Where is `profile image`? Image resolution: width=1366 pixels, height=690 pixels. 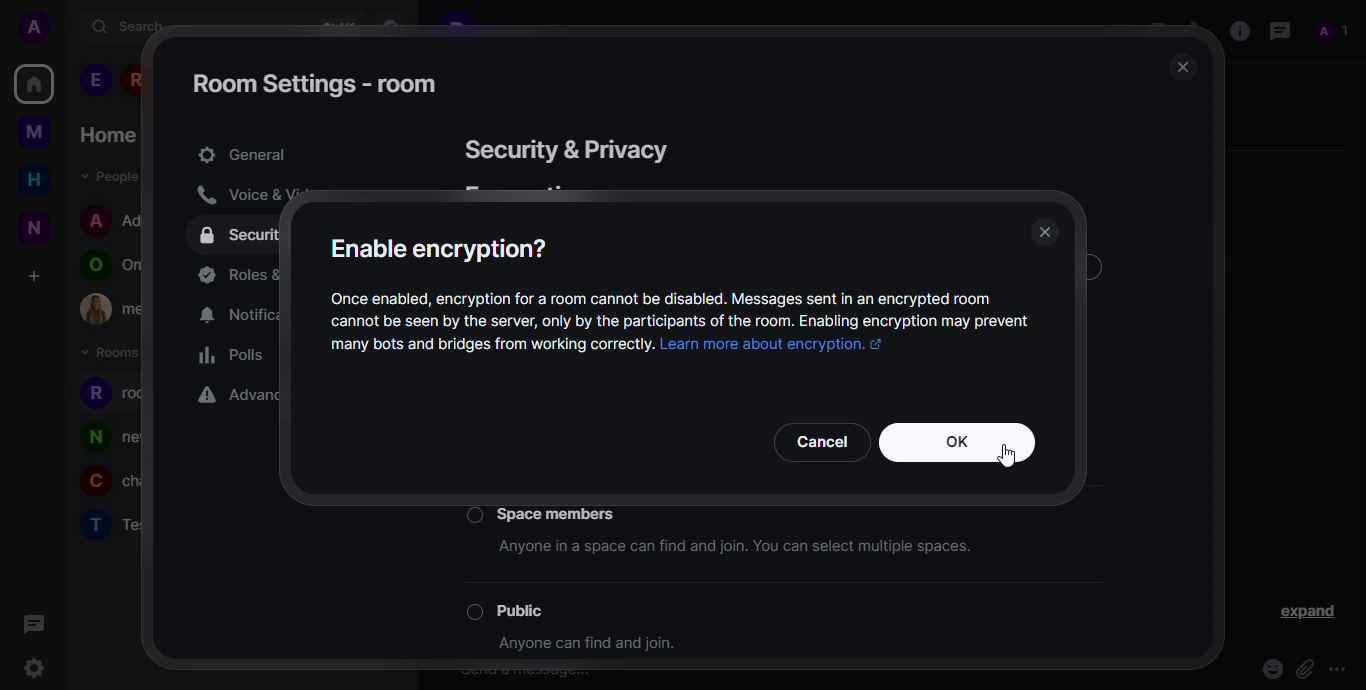 profile image is located at coordinates (96, 309).